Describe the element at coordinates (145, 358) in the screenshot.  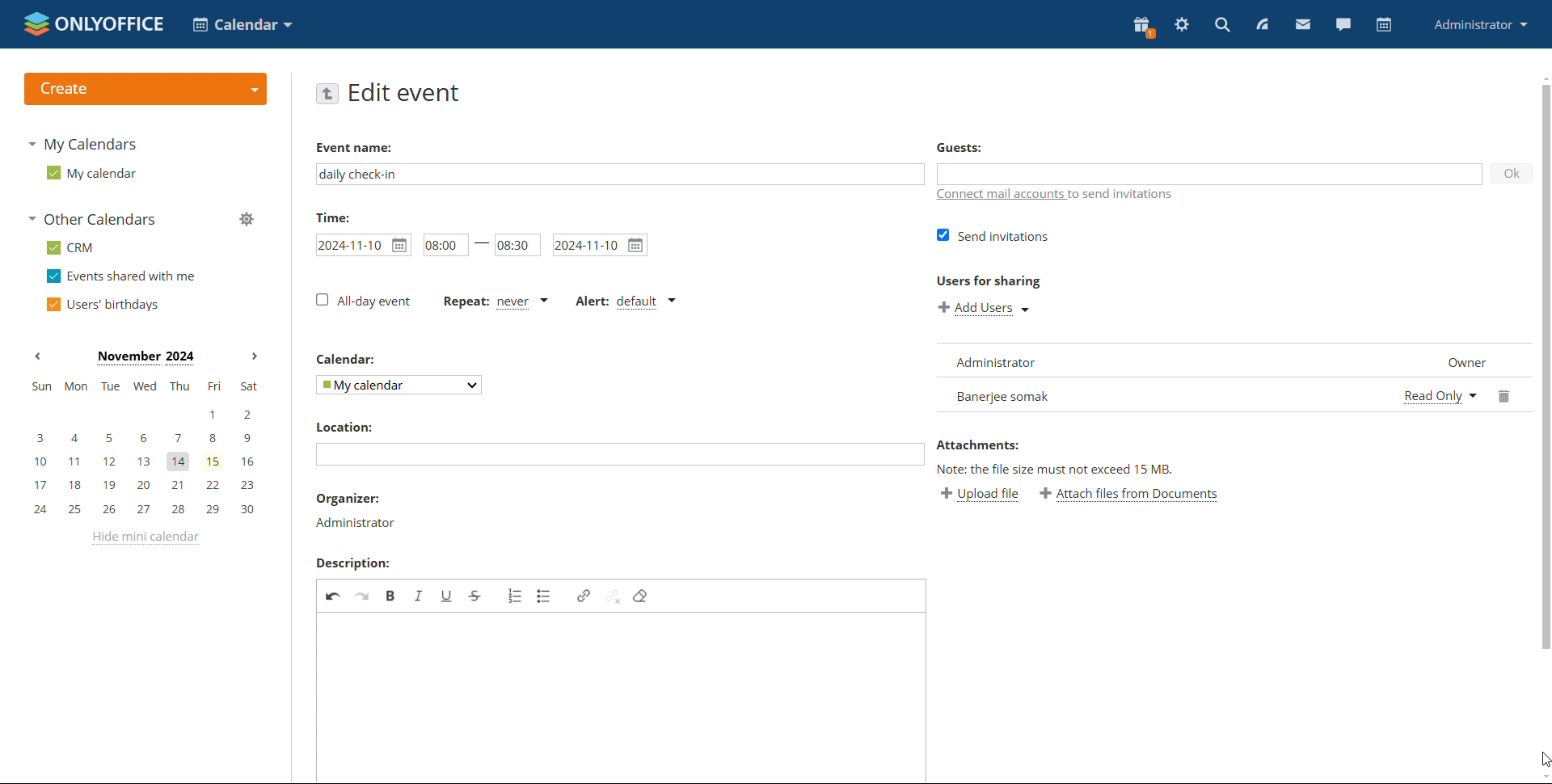
I see `current month` at that location.